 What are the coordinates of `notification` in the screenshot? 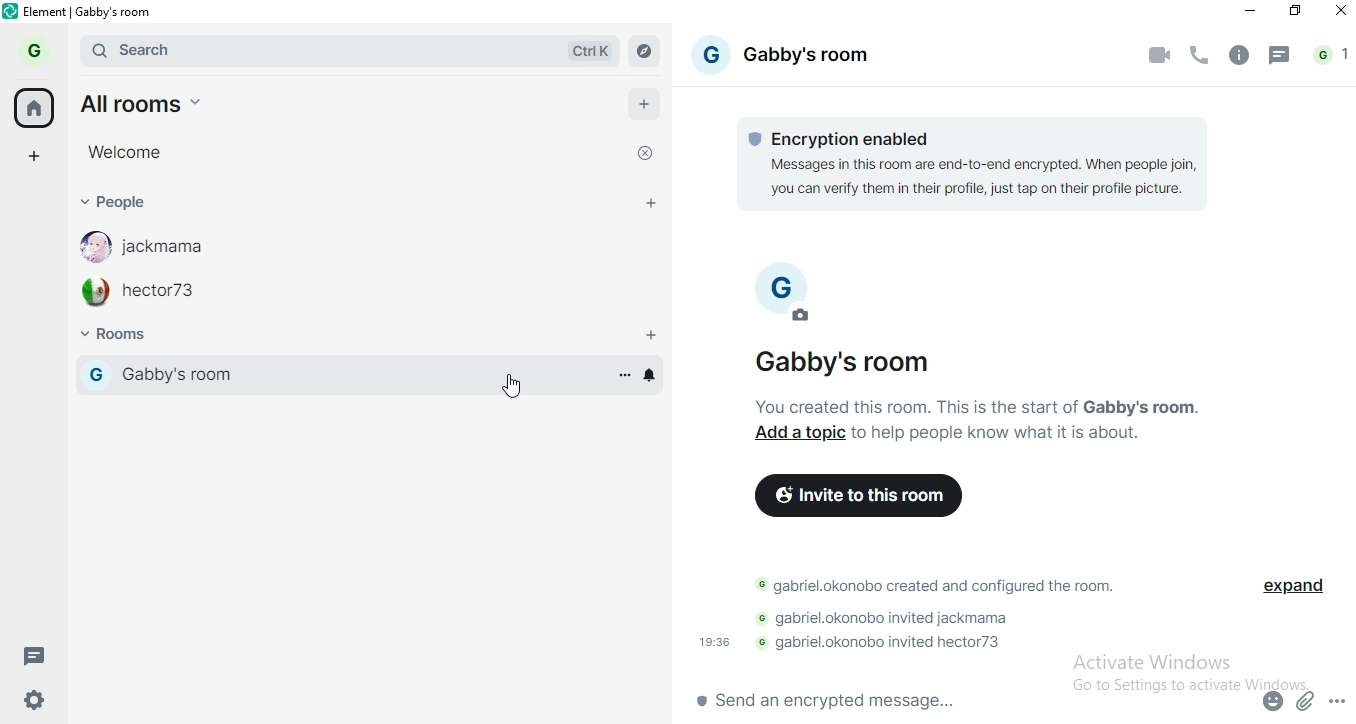 It's located at (649, 376).